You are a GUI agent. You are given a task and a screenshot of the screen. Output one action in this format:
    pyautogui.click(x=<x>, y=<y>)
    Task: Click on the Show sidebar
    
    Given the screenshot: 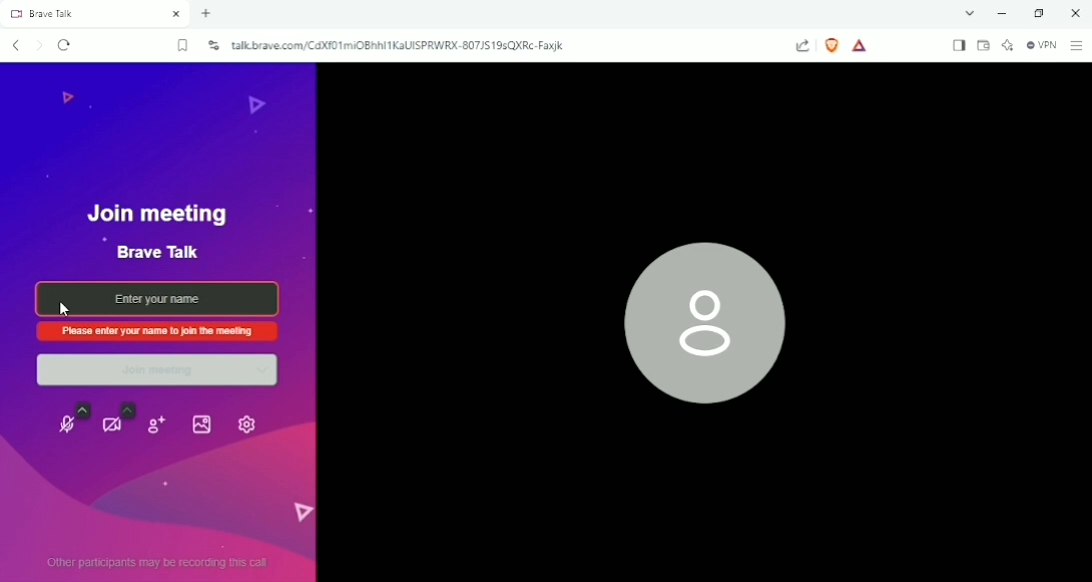 What is the action you would take?
    pyautogui.click(x=960, y=45)
    